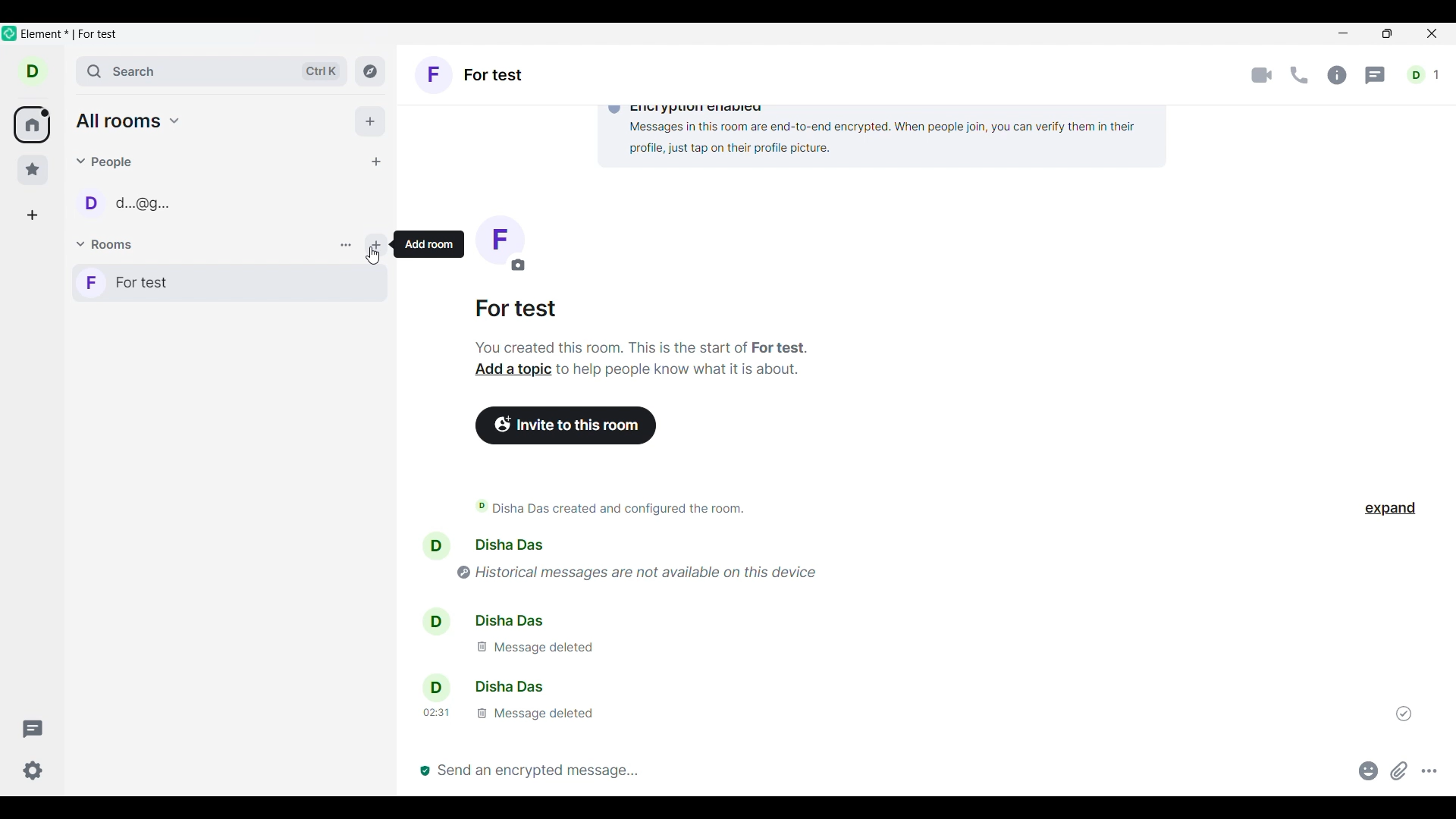 The height and width of the screenshot is (819, 1456). What do you see at coordinates (1345, 36) in the screenshot?
I see `Minimize` at bounding box center [1345, 36].